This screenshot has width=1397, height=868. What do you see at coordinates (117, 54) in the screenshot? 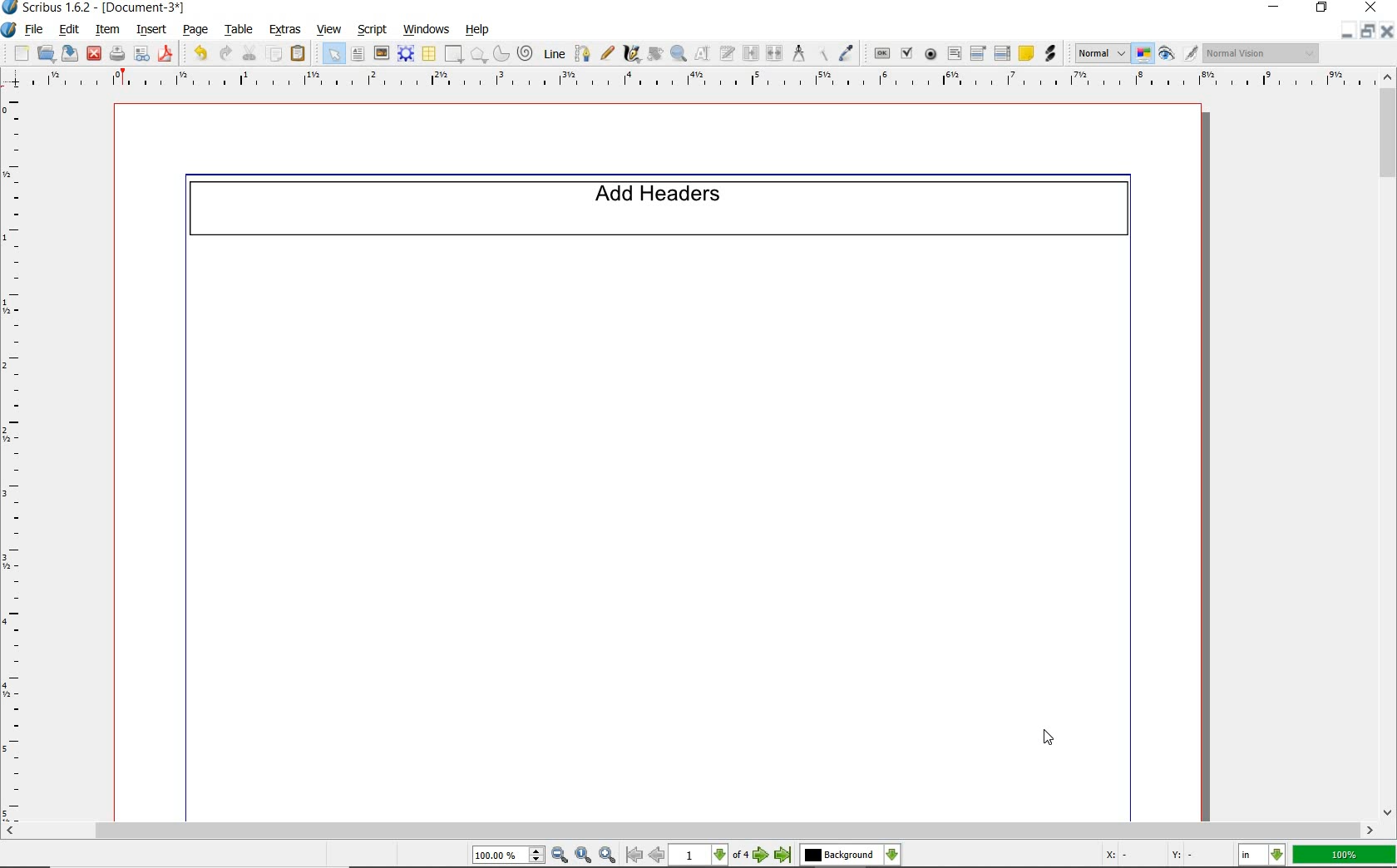
I see `print` at bounding box center [117, 54].